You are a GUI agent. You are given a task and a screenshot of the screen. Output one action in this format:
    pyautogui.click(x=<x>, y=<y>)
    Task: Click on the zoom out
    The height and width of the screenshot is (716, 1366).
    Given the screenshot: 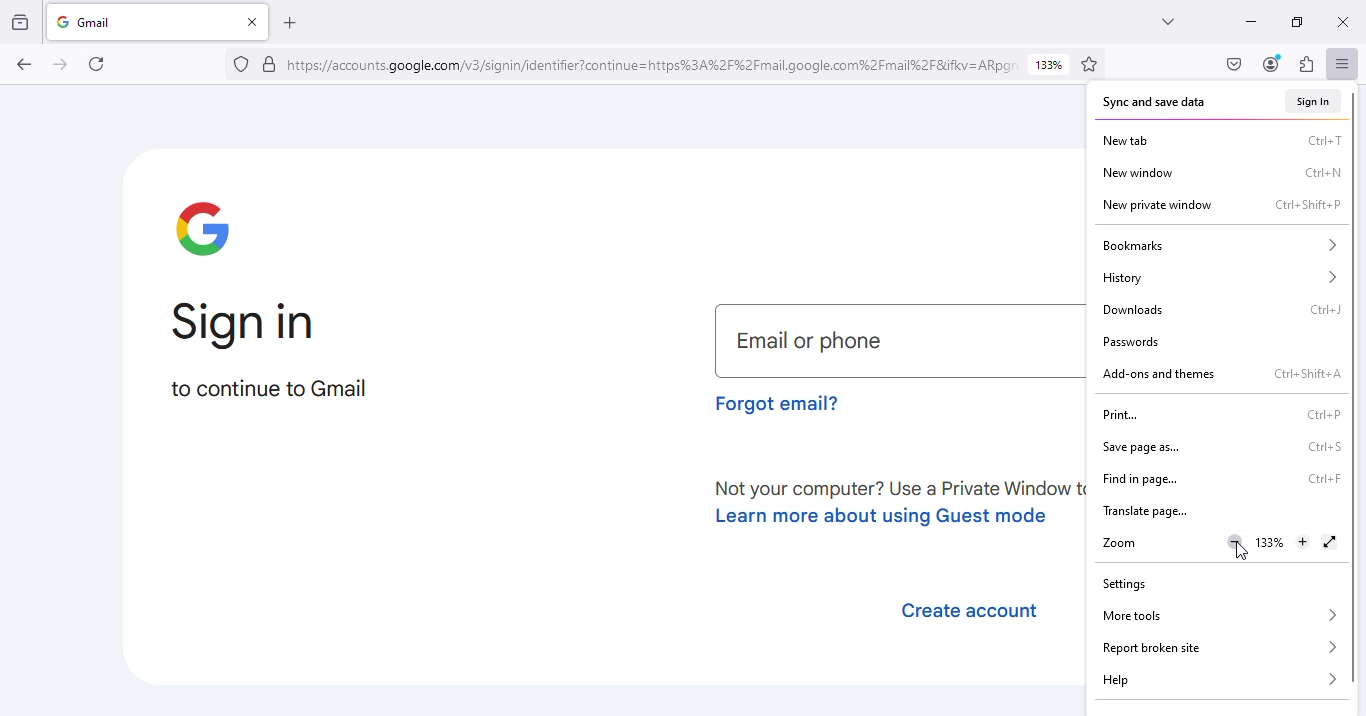 What is the action you would take?
    pyautogui.click(x=1235, y=543)
    